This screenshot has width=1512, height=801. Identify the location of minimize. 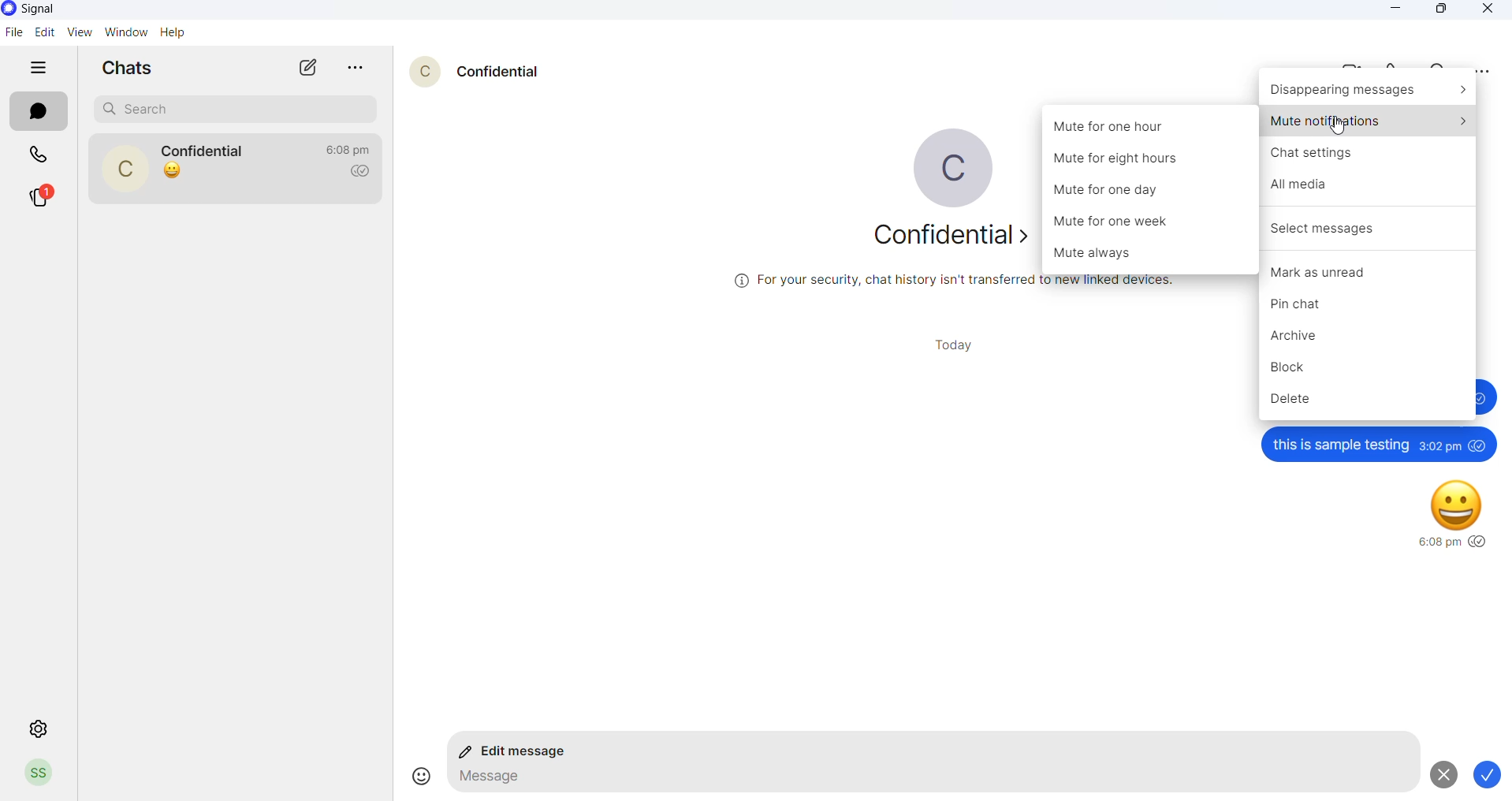
(1401, 9).